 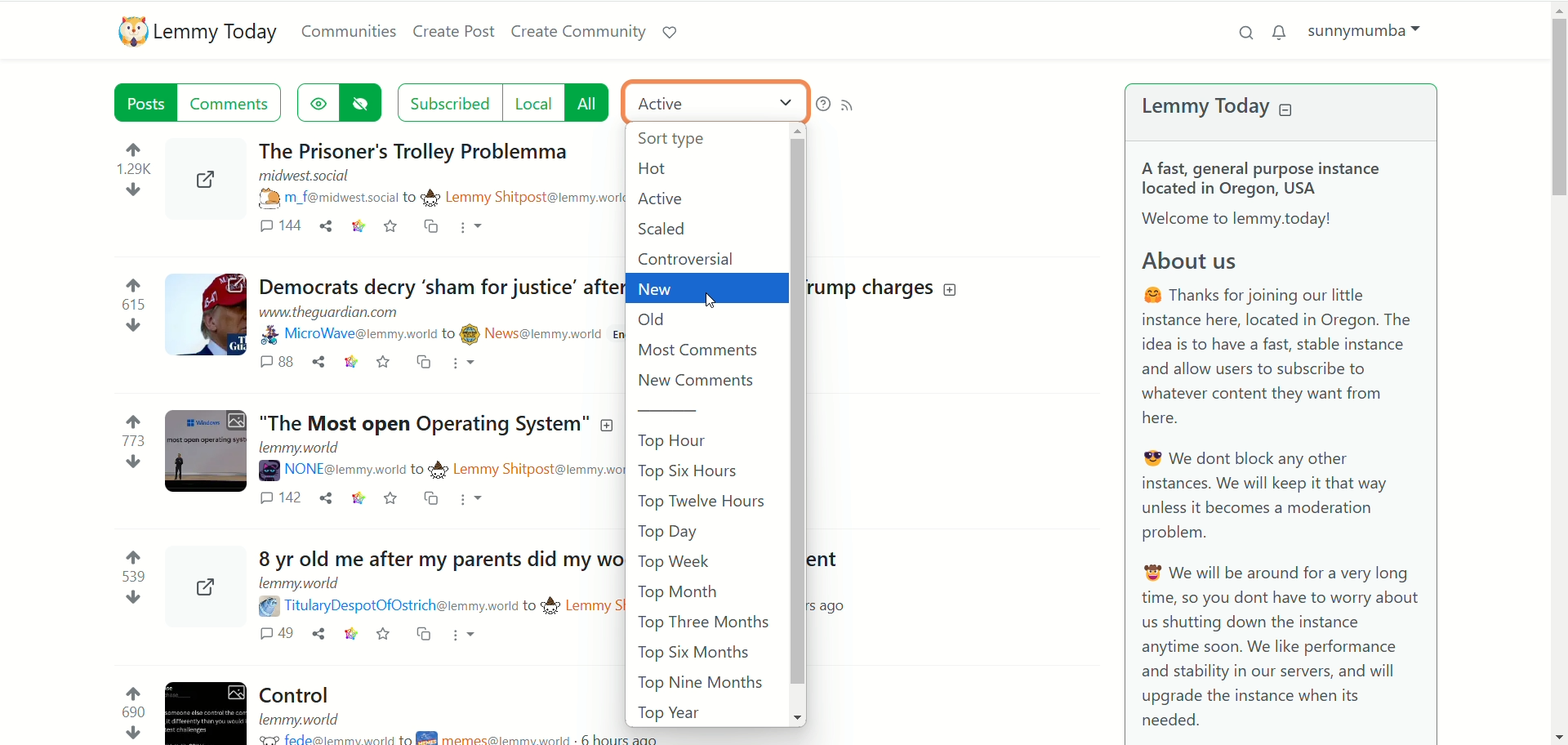 I want to click on scaled, so click(x=669, y=229).